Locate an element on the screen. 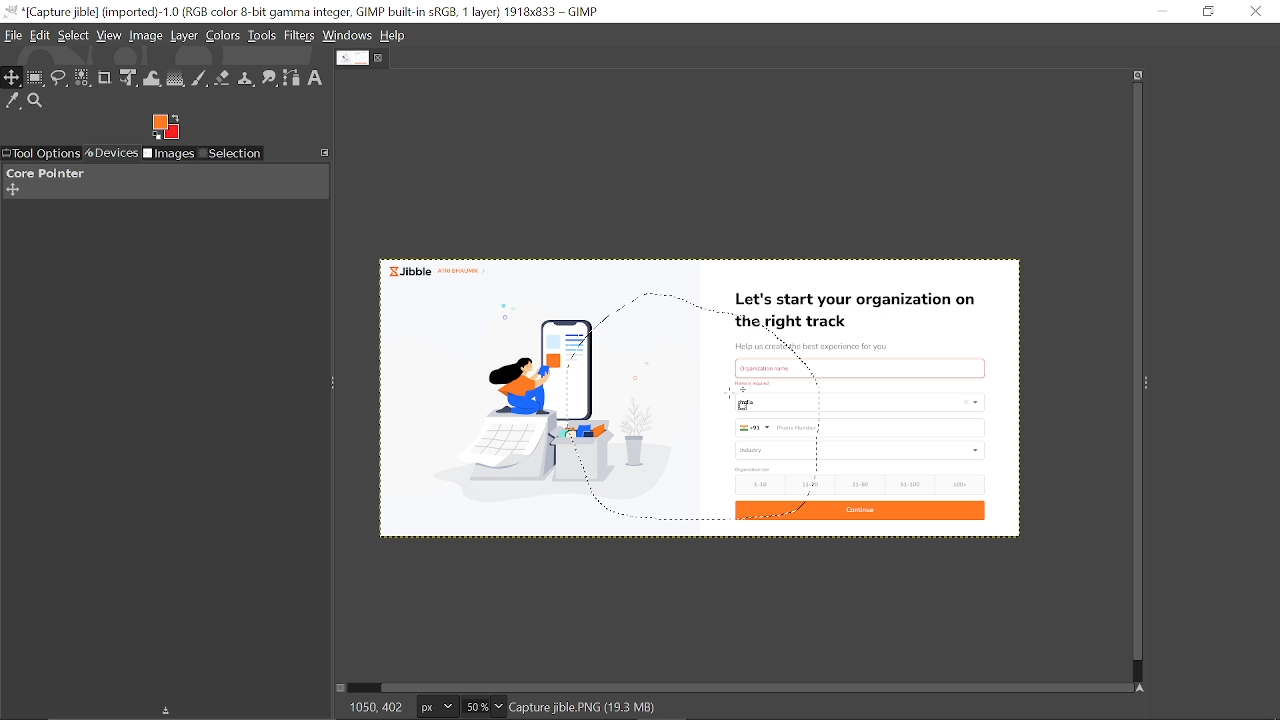 This screenshot has height=720, width=1280. Add is located at coordinates (12, 190).